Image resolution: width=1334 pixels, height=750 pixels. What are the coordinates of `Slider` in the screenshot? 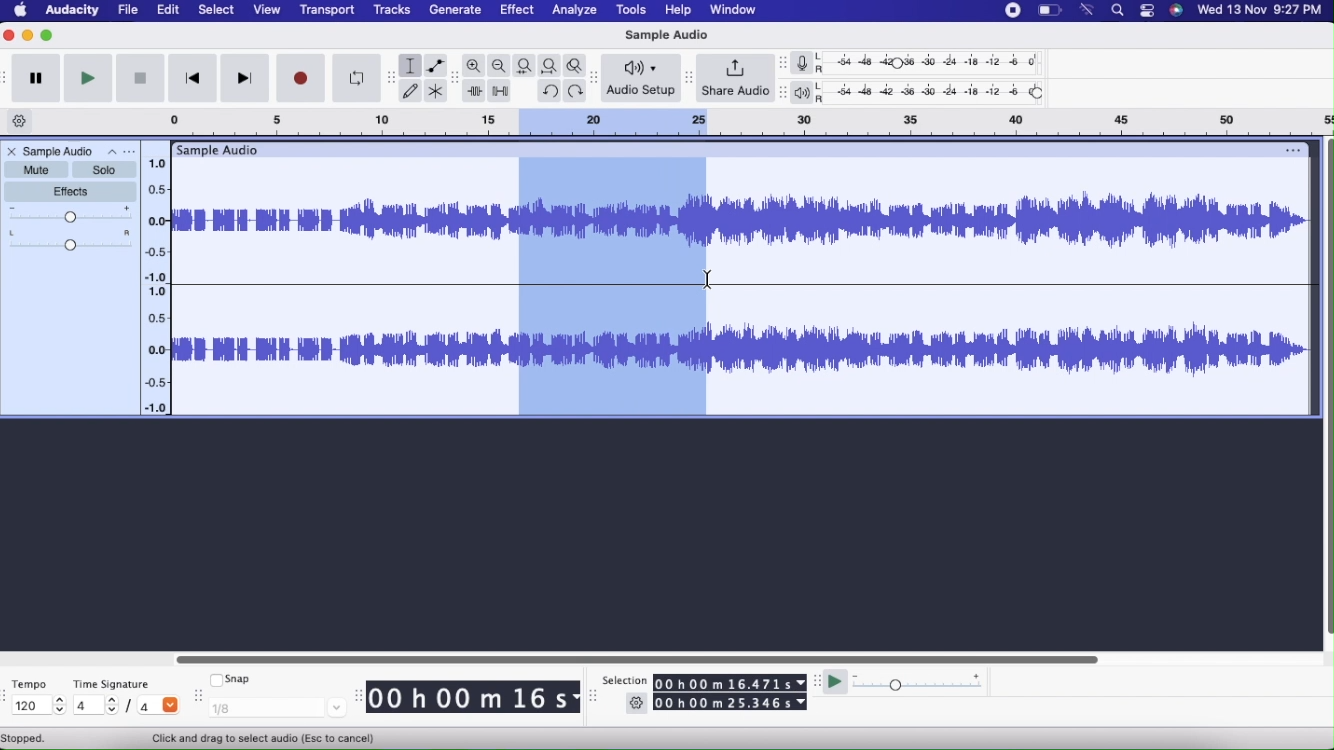 It's located at (635, 657).